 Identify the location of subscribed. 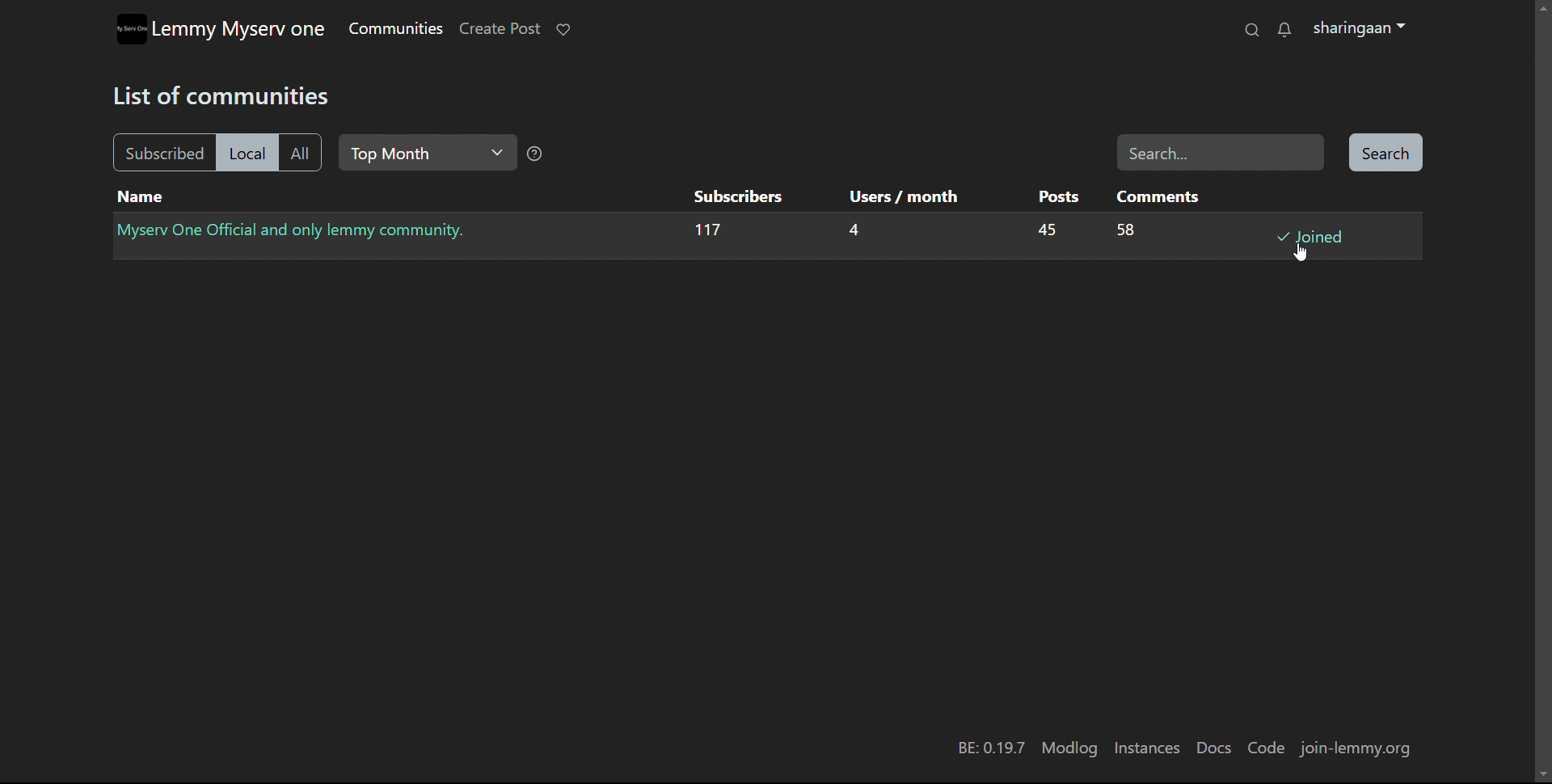
(162, 152).